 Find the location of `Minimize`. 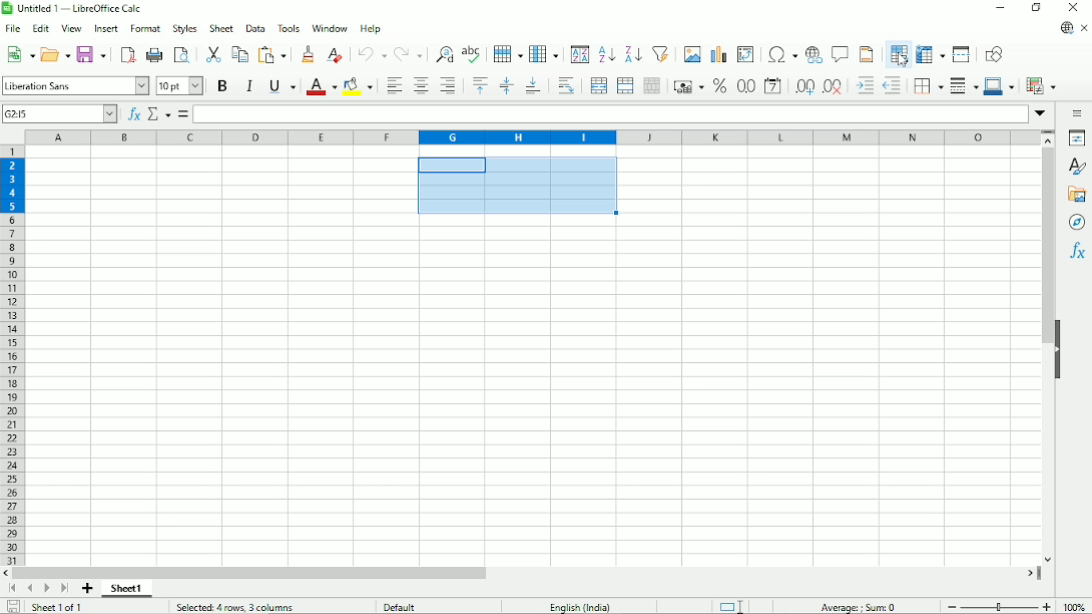

Minimize is located at coordinates (1001, 9).